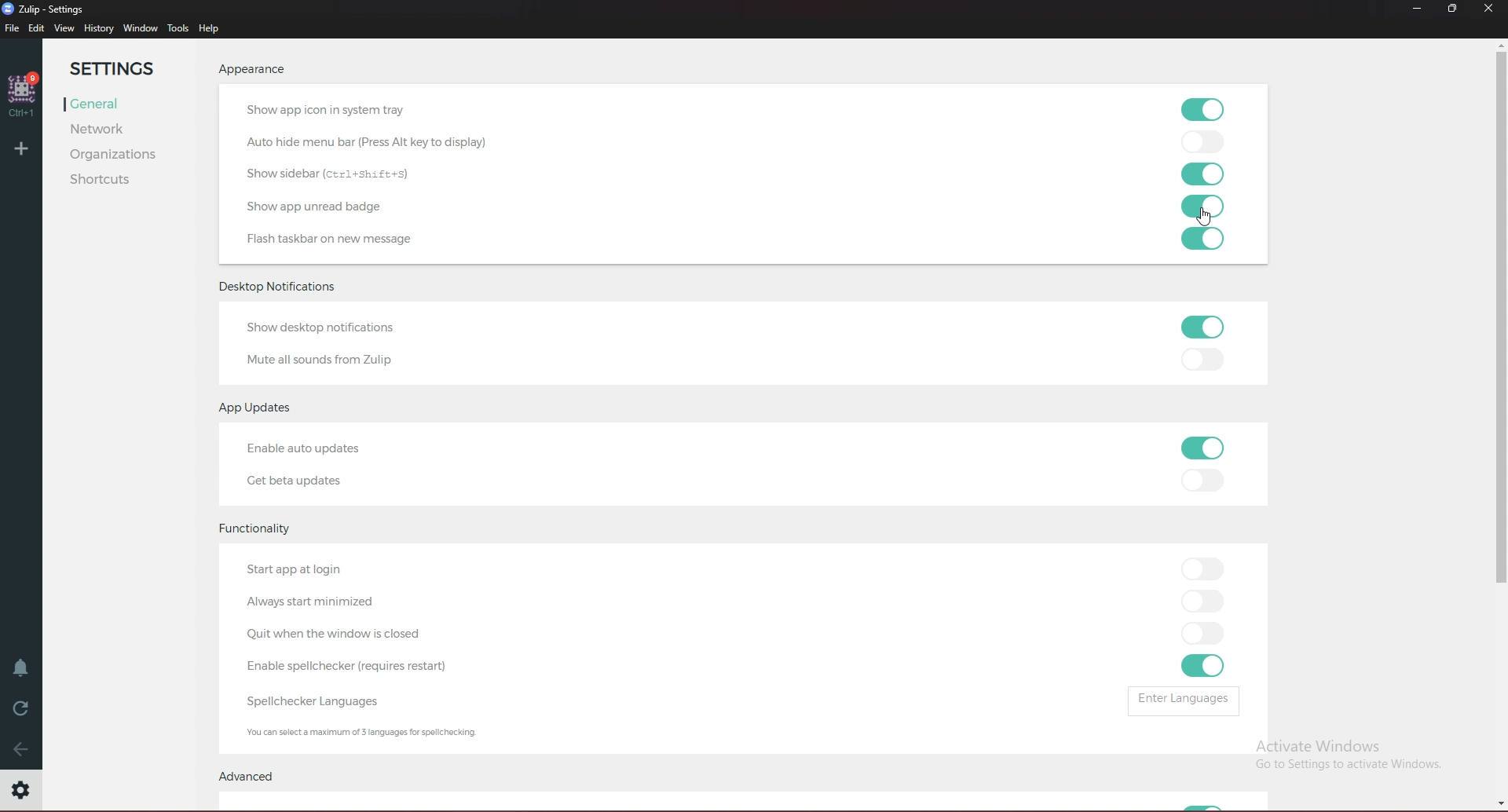  What do you see at coordinates (256, 776) in the screenshot?
I see `Advanced` at bounding box center [256, 776].